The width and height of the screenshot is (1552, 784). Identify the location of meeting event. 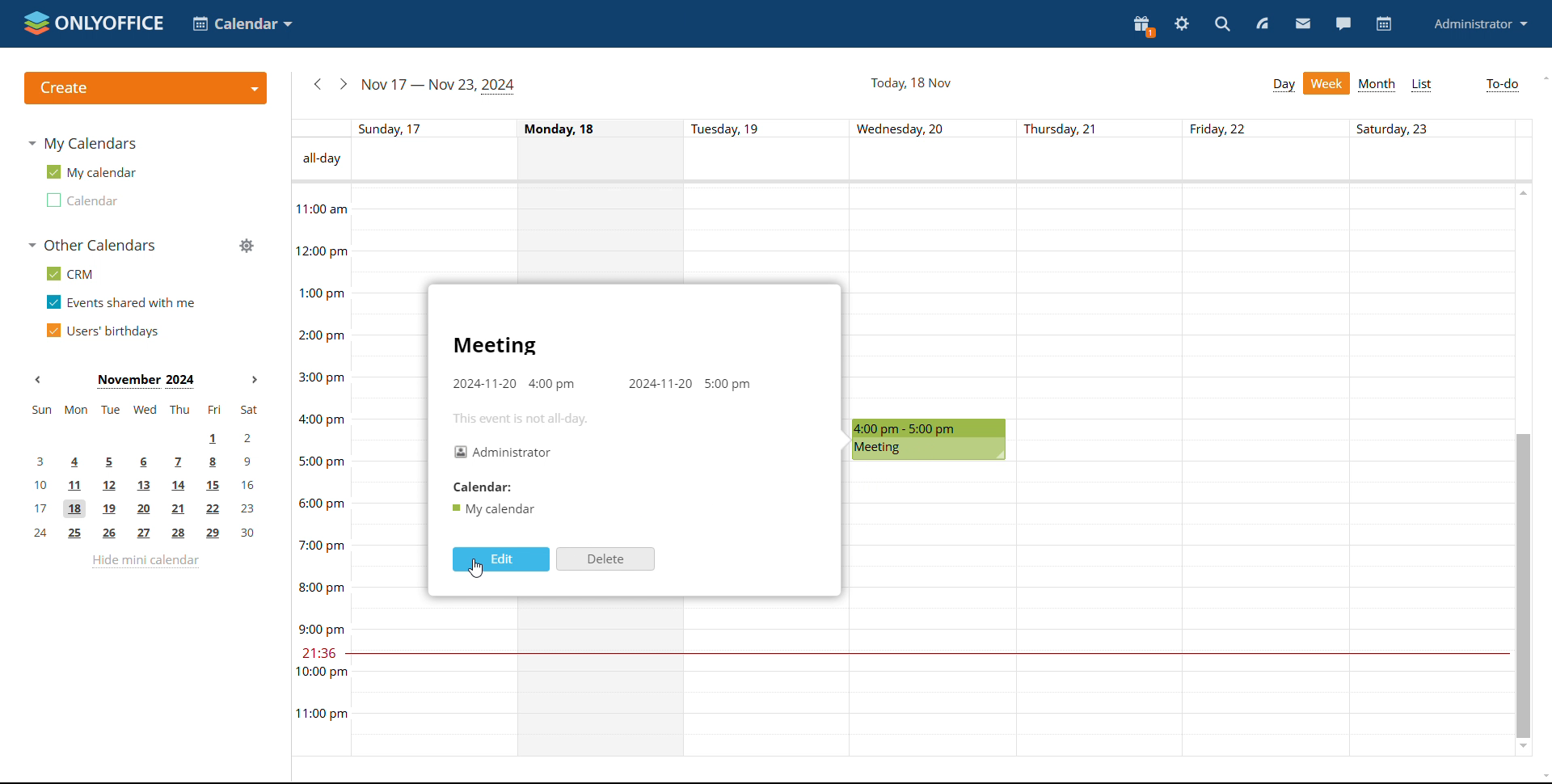
(930, 440).